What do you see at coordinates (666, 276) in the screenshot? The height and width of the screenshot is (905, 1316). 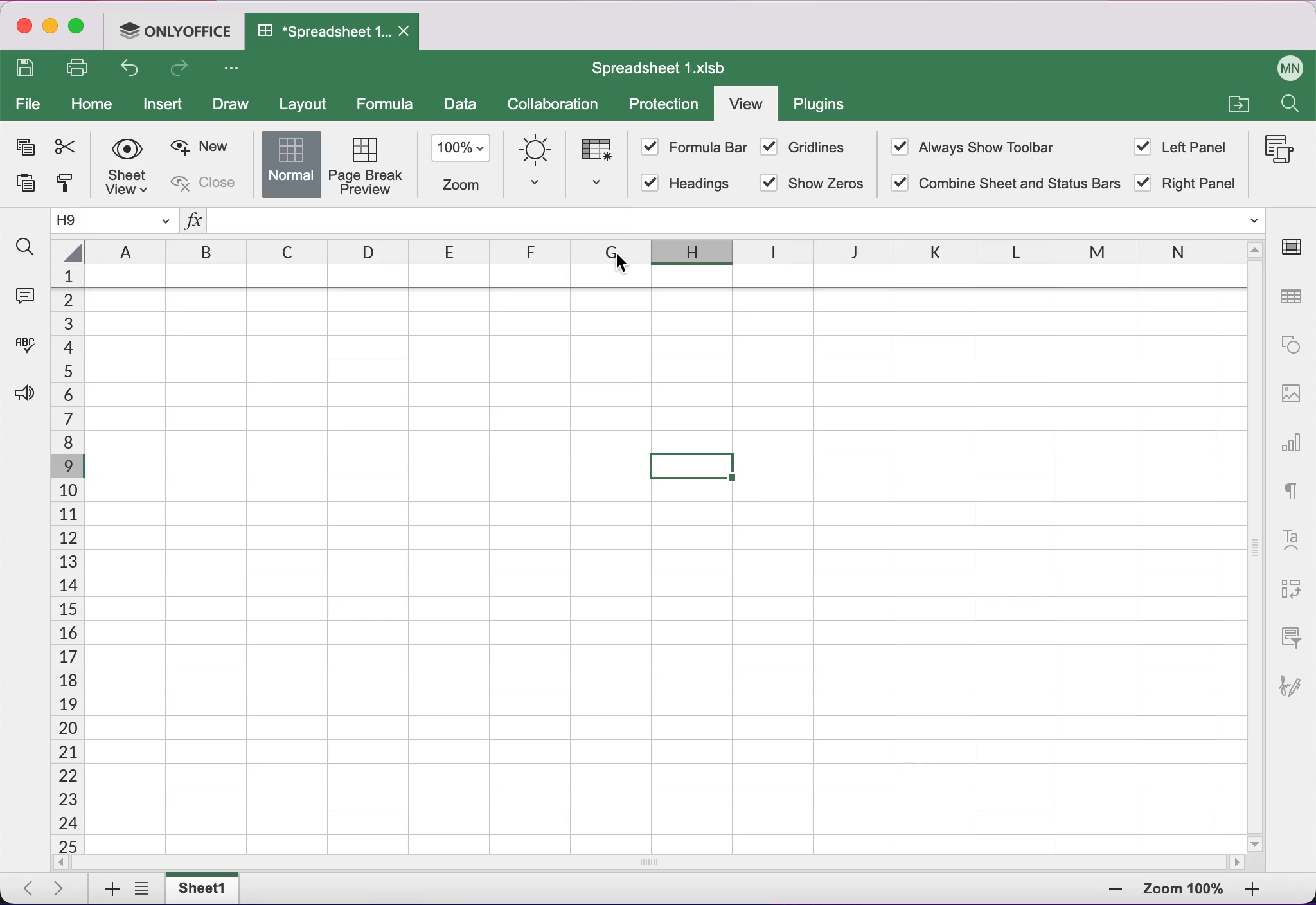 I see `froze top row` at bounding box center [666, 276].